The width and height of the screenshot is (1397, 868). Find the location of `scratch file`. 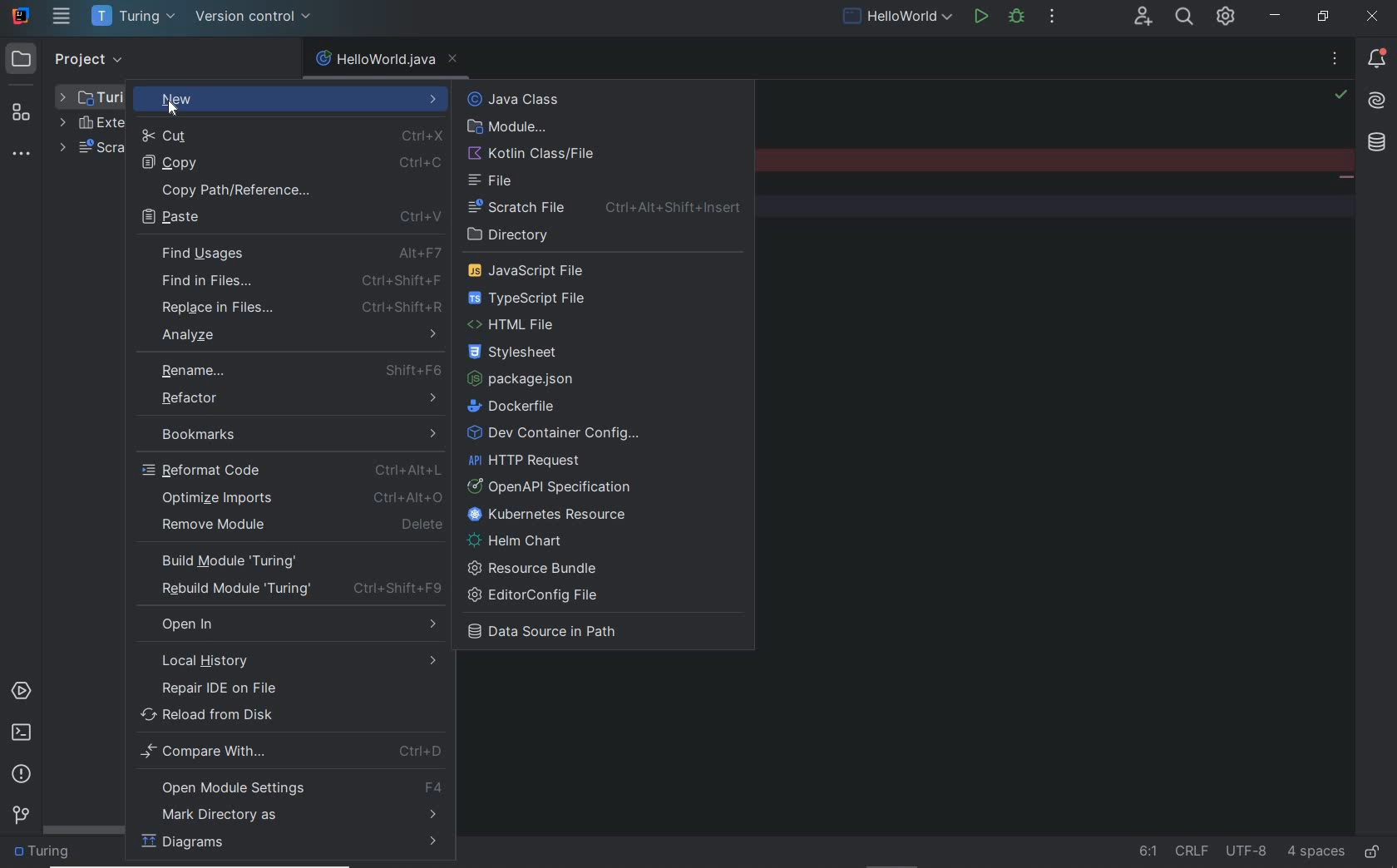

scratch file is located at coordinates (609, 209).